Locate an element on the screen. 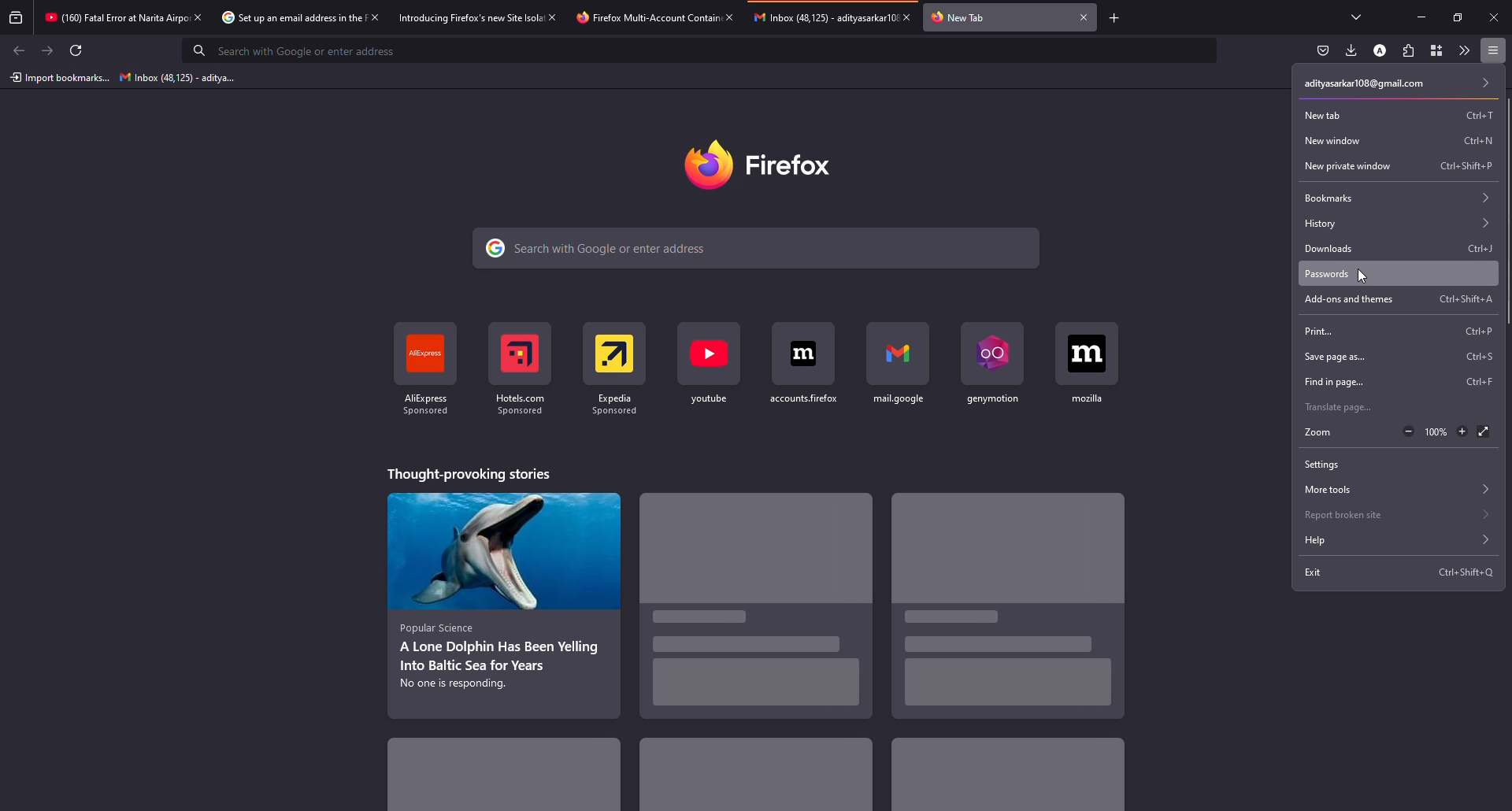 The image size is (1512, 811). stories is located at coordinates (754, 775).